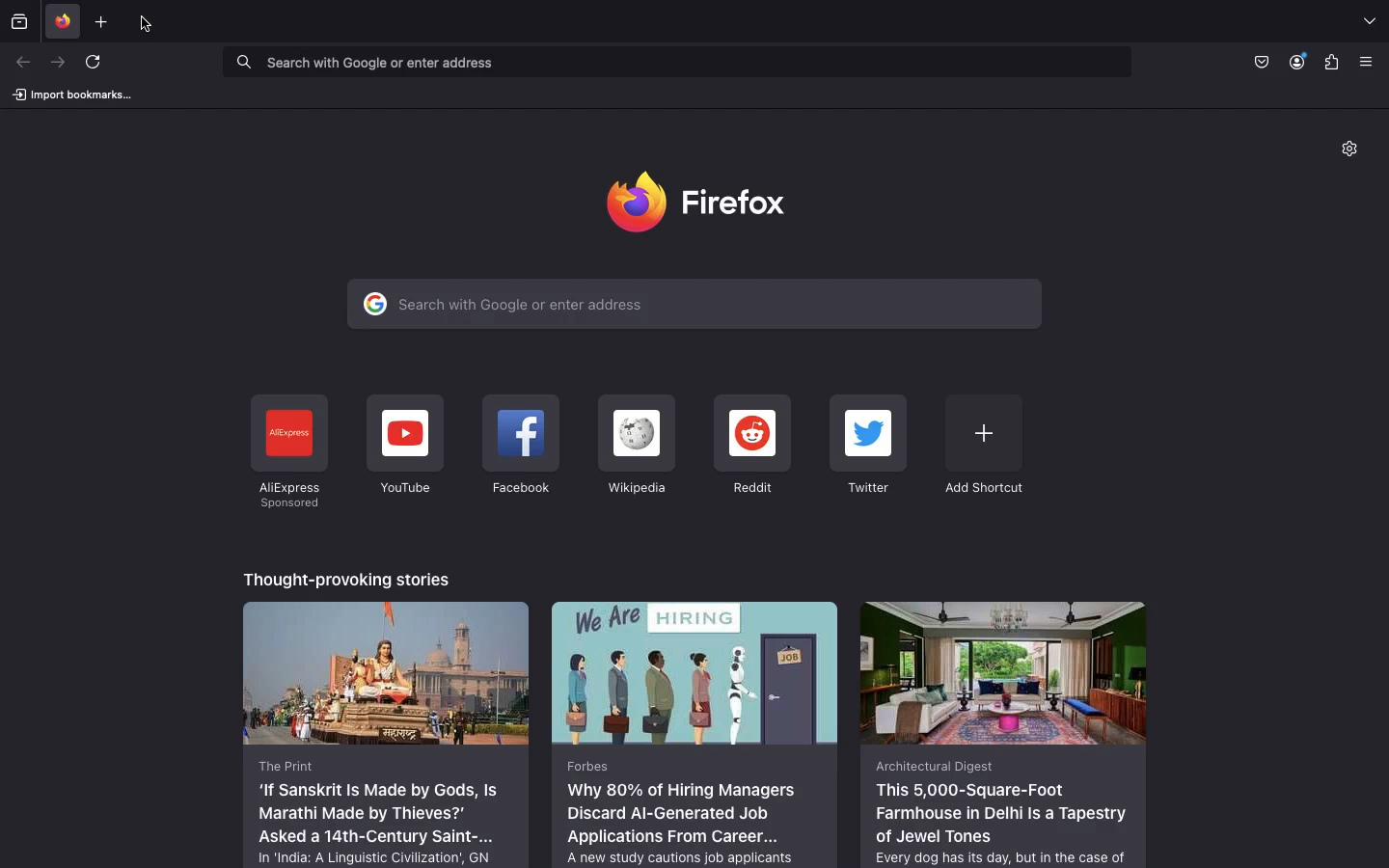  I want to click on tab, so click(64, 22).